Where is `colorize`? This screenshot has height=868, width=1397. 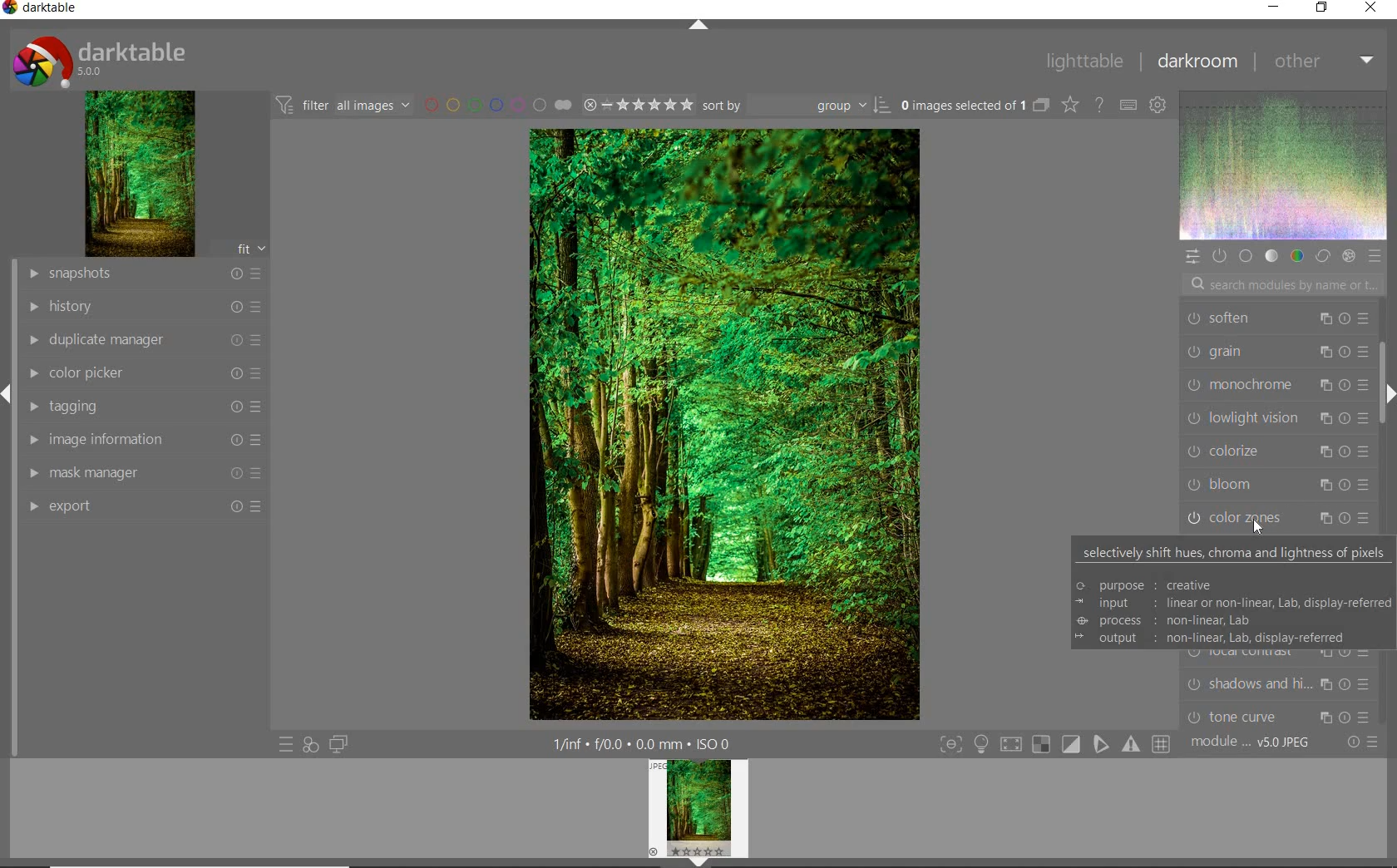 colorize is located at coordinates (1278, 449).